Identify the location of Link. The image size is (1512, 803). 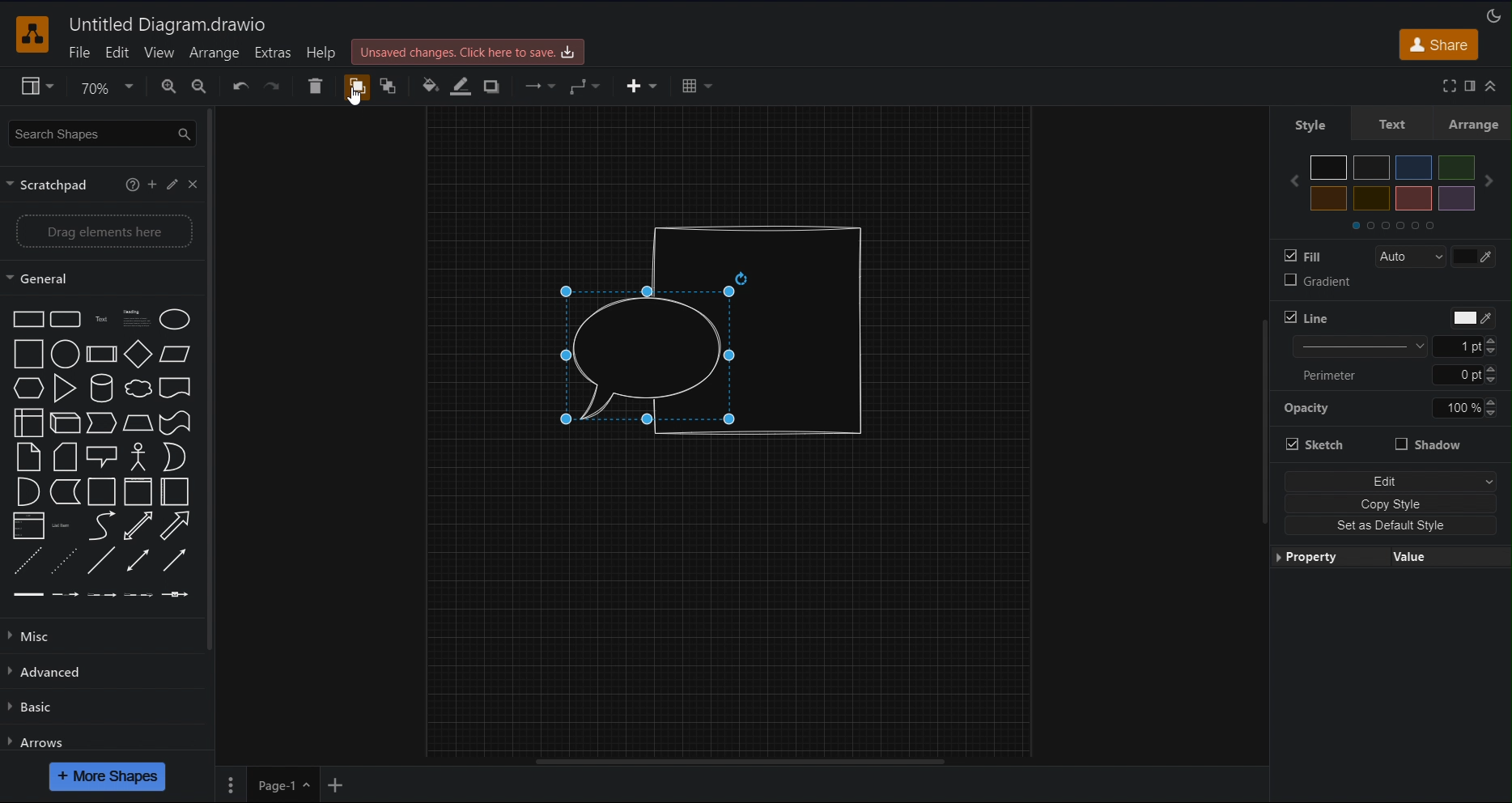
(29, 525).